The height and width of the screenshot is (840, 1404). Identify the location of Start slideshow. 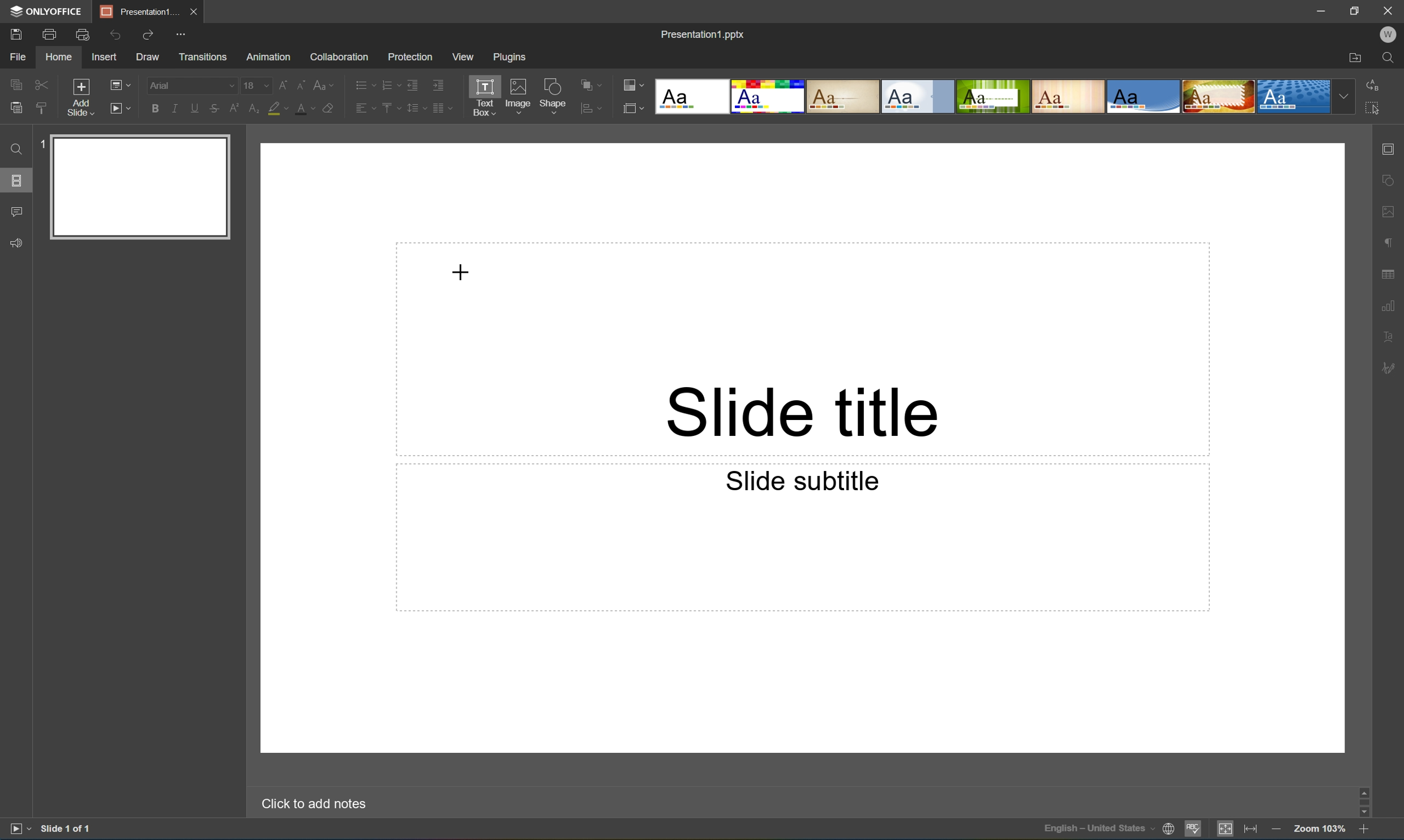
(119, 107).